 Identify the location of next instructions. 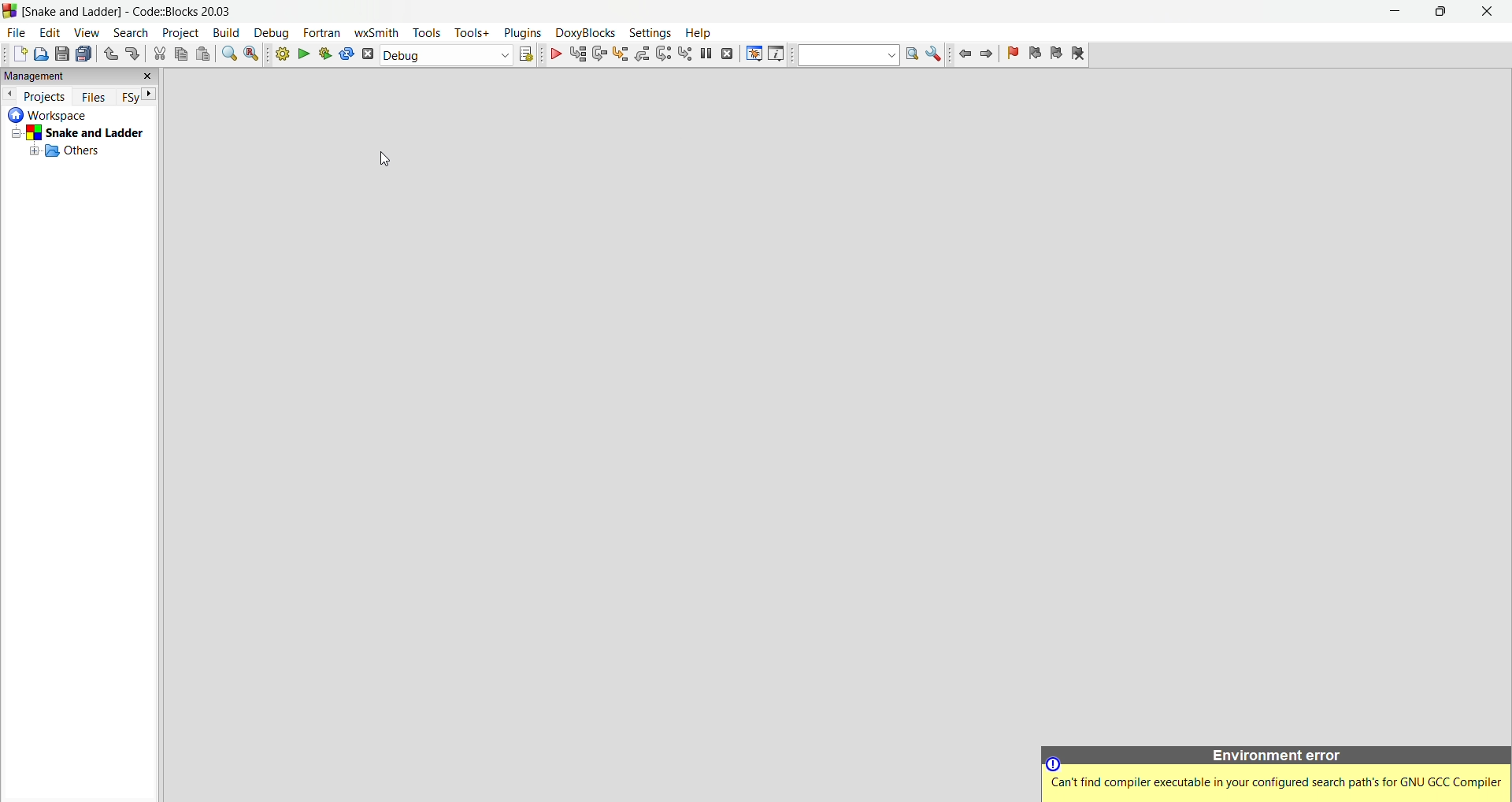
(666, 56).